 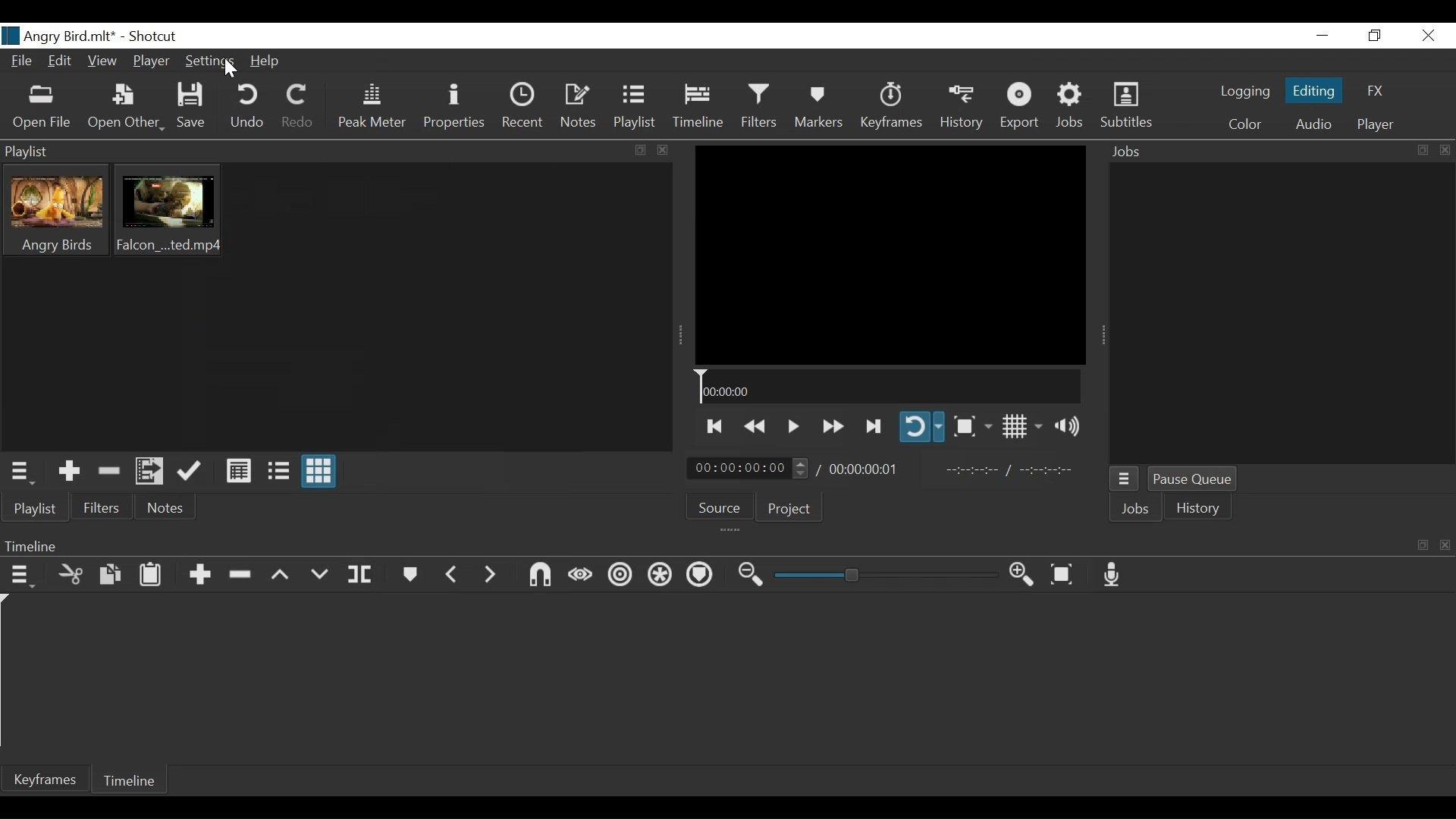 I want to click on Open File, so click(x=43, y=108).